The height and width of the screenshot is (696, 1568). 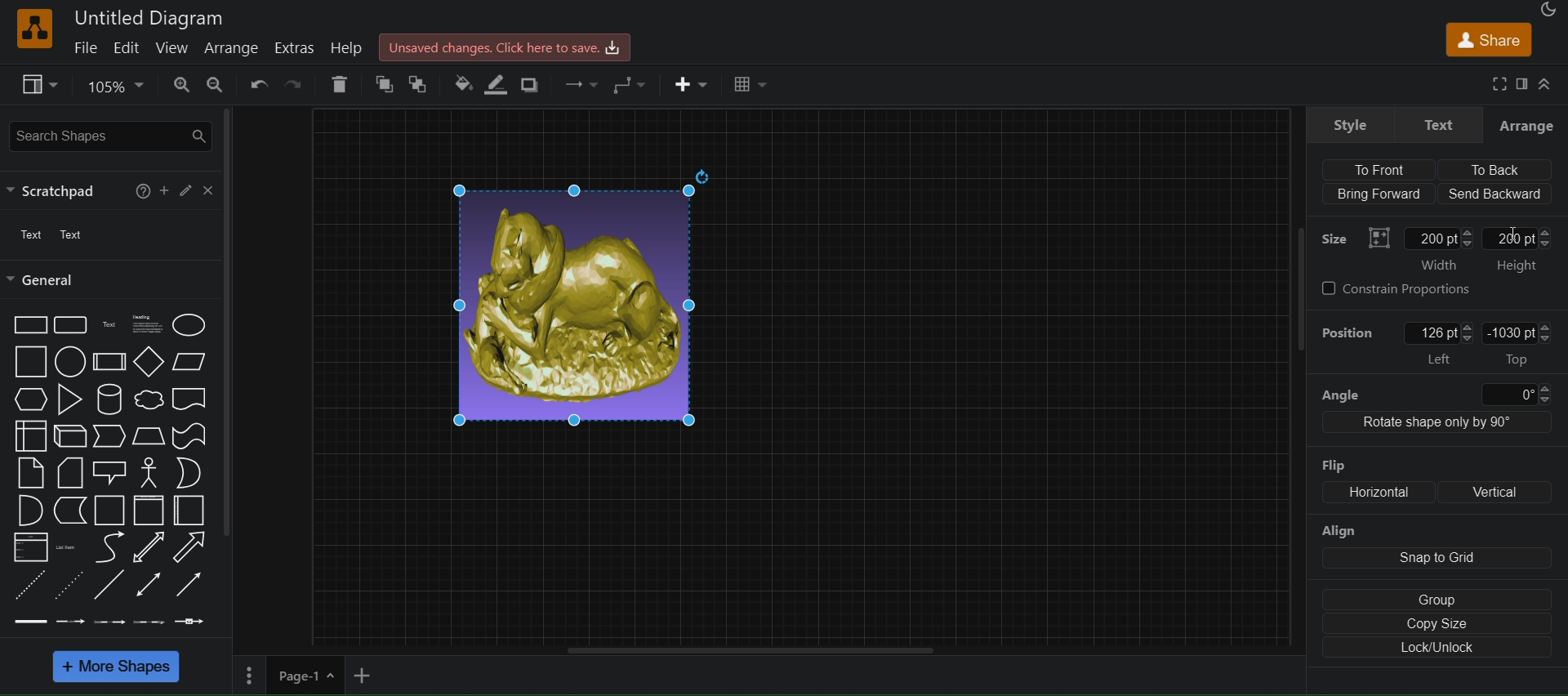 I want to click on position: left: 126 pt, so click(x=1395, y=344).